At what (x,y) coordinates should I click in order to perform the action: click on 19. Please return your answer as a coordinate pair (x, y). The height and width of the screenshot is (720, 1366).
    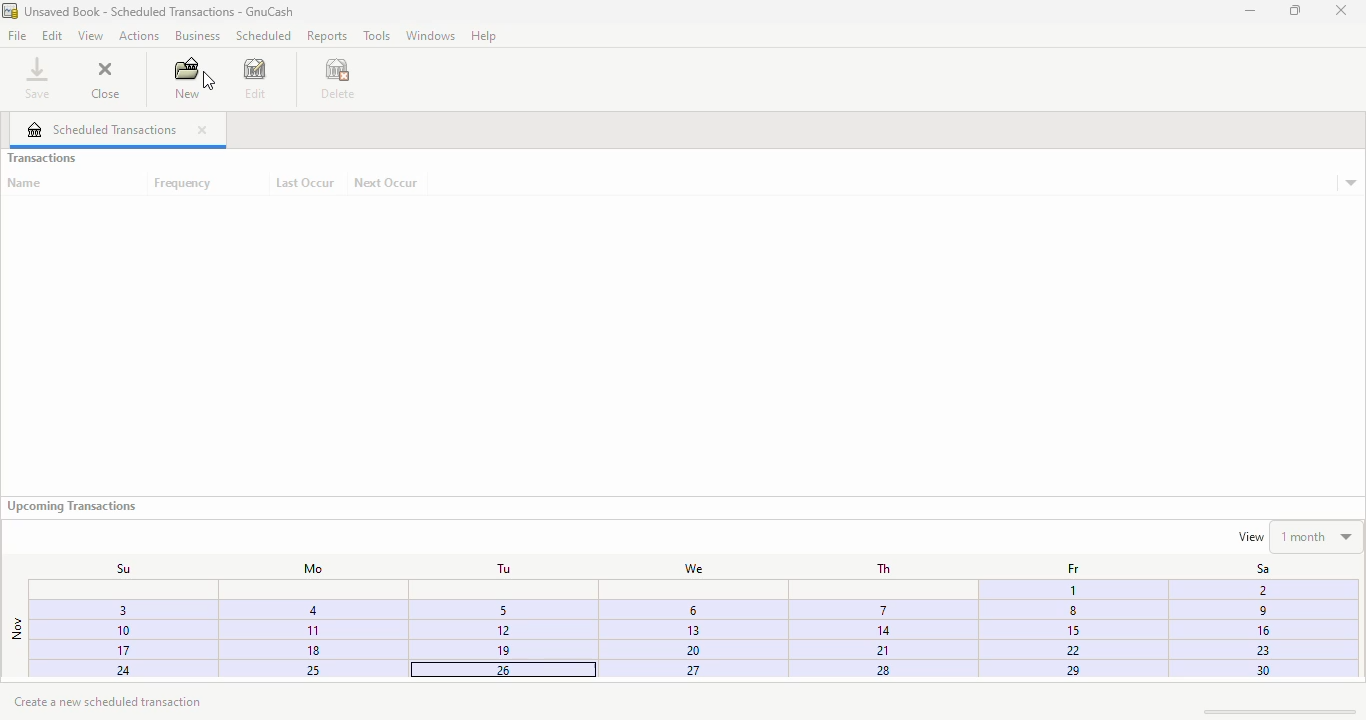
    Looking at the image, I should click on (506, 651).